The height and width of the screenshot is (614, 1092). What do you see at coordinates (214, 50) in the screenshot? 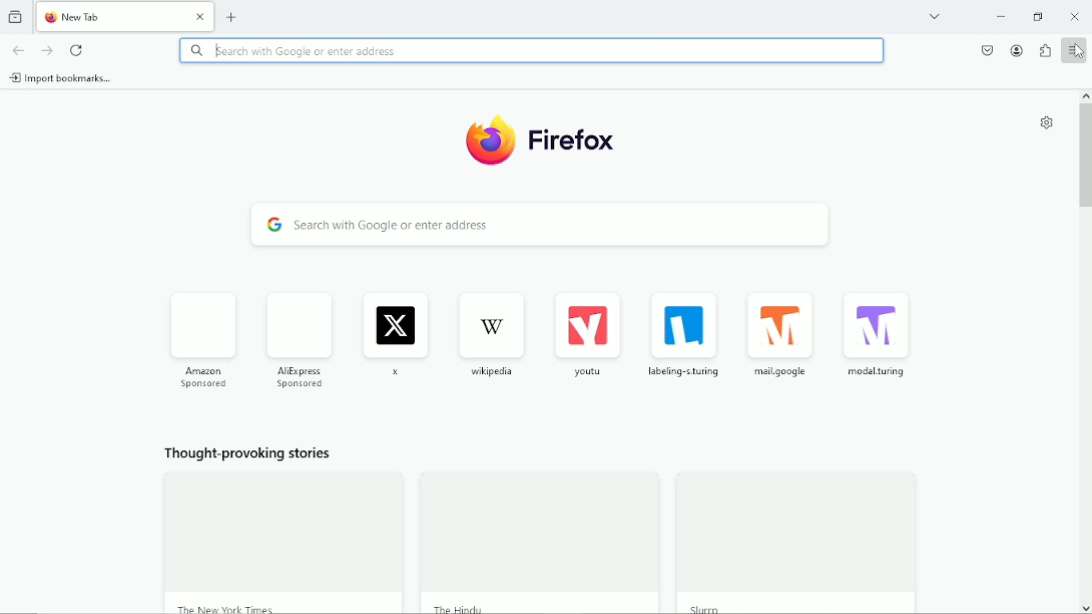
I see `text cursor` at bounding box center [214, 50].